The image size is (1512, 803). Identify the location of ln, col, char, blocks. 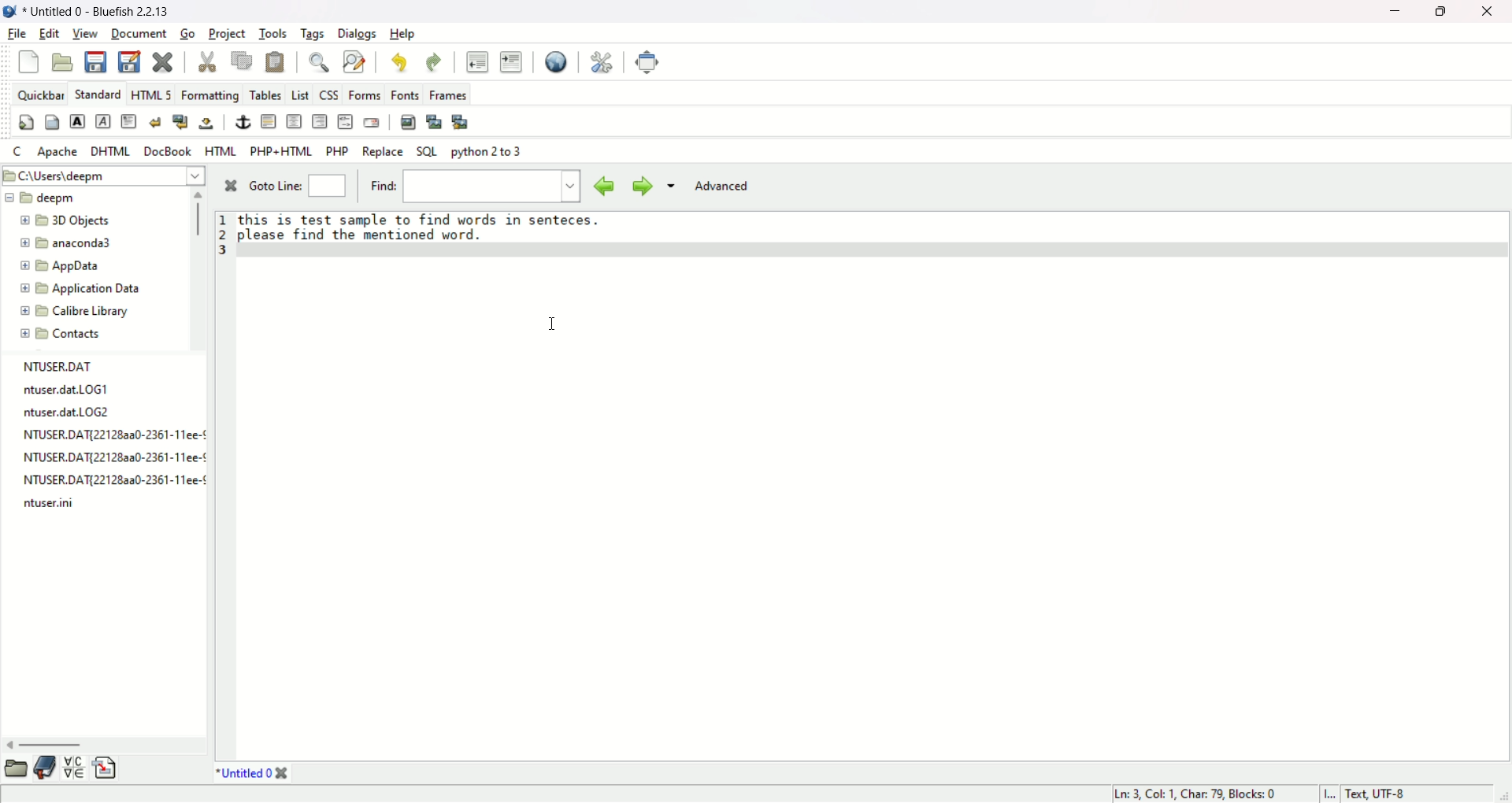
(1192, 795).